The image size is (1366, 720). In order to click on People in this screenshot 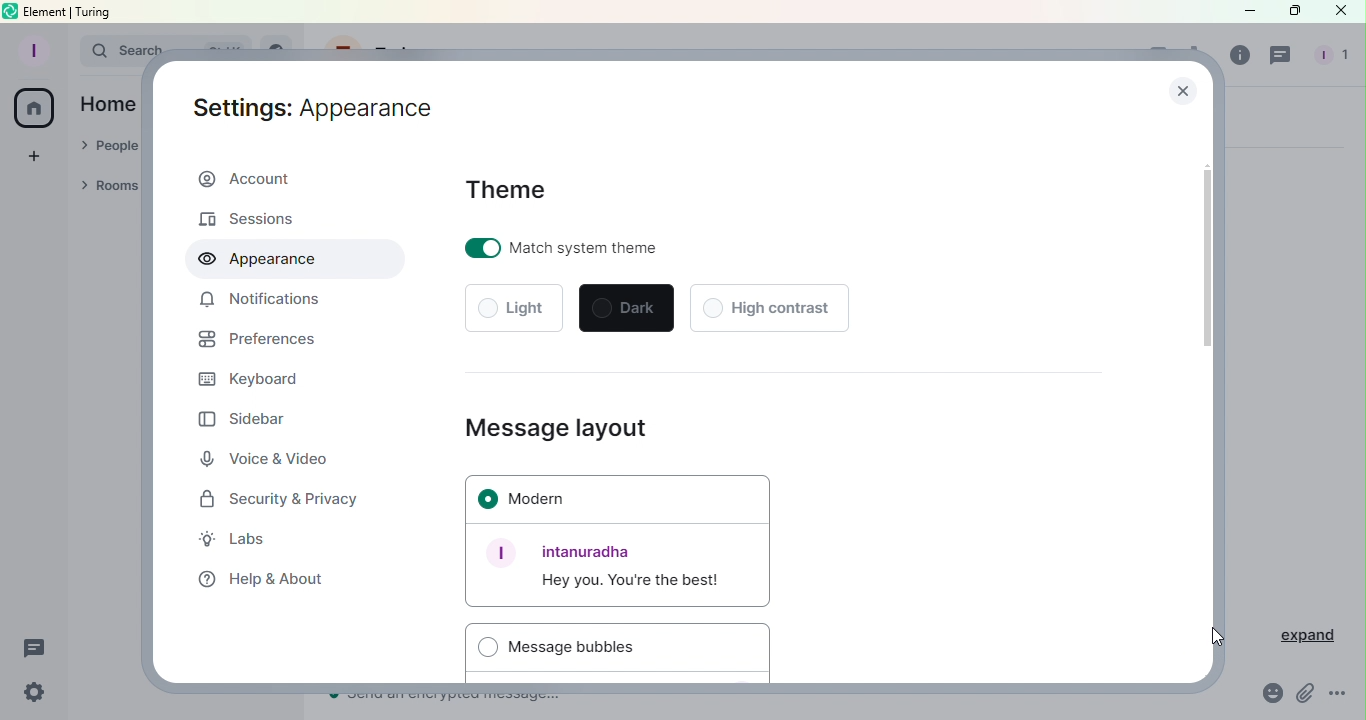, I will do `click(1329, 55)`.